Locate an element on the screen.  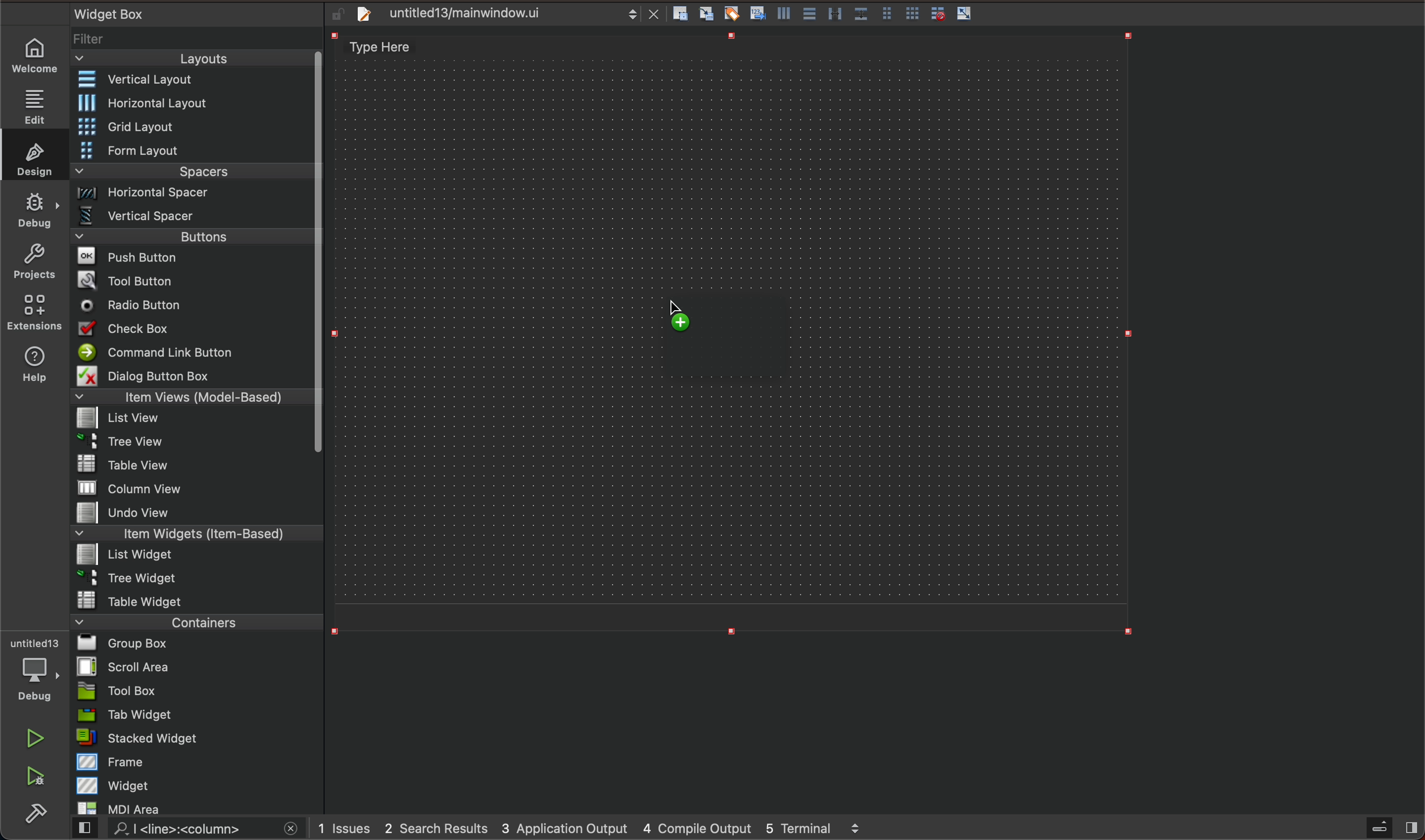
group box is located at coordinates (199, 644).